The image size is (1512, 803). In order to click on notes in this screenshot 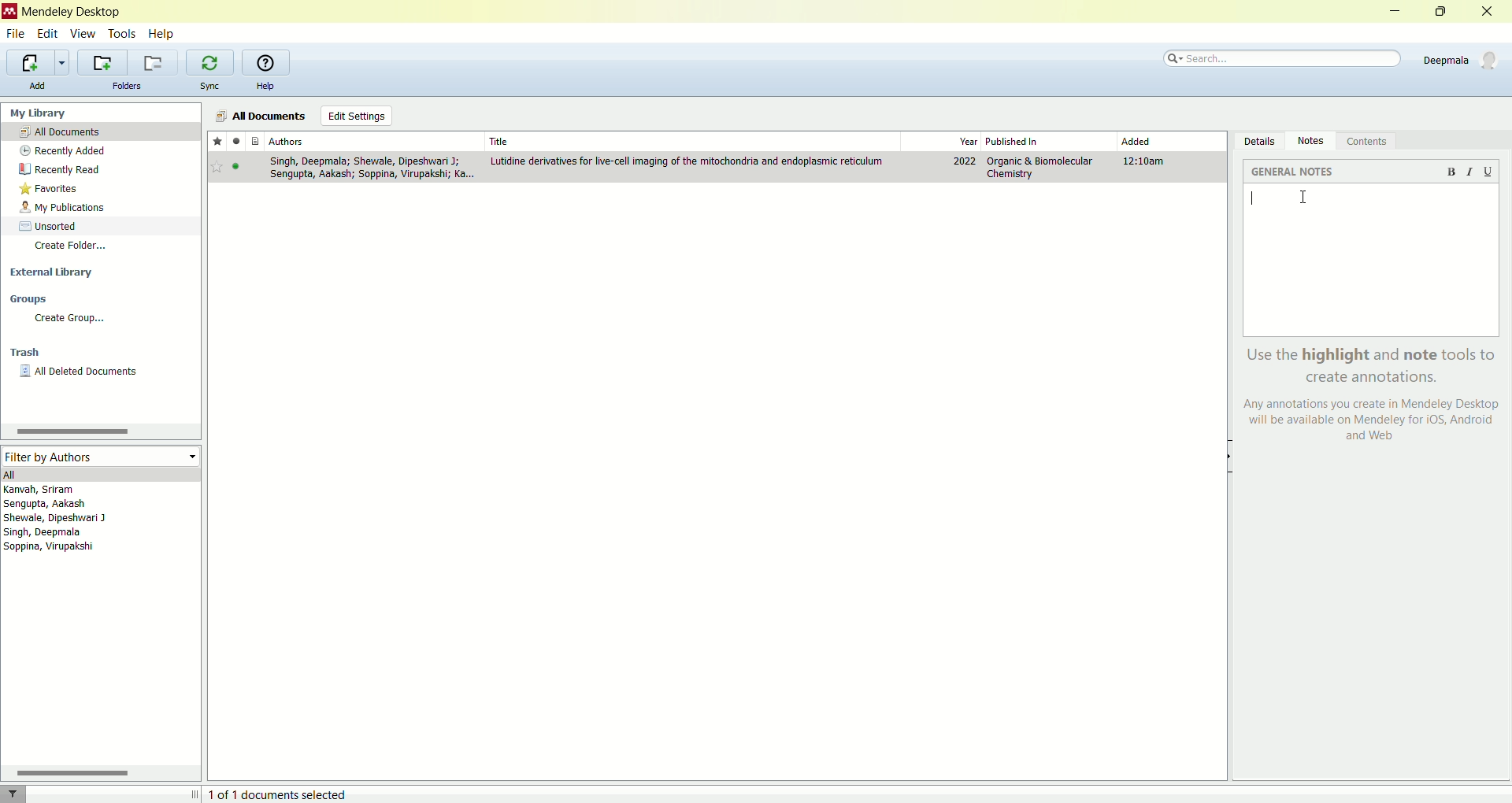, I will do `click(1310, 142)`.